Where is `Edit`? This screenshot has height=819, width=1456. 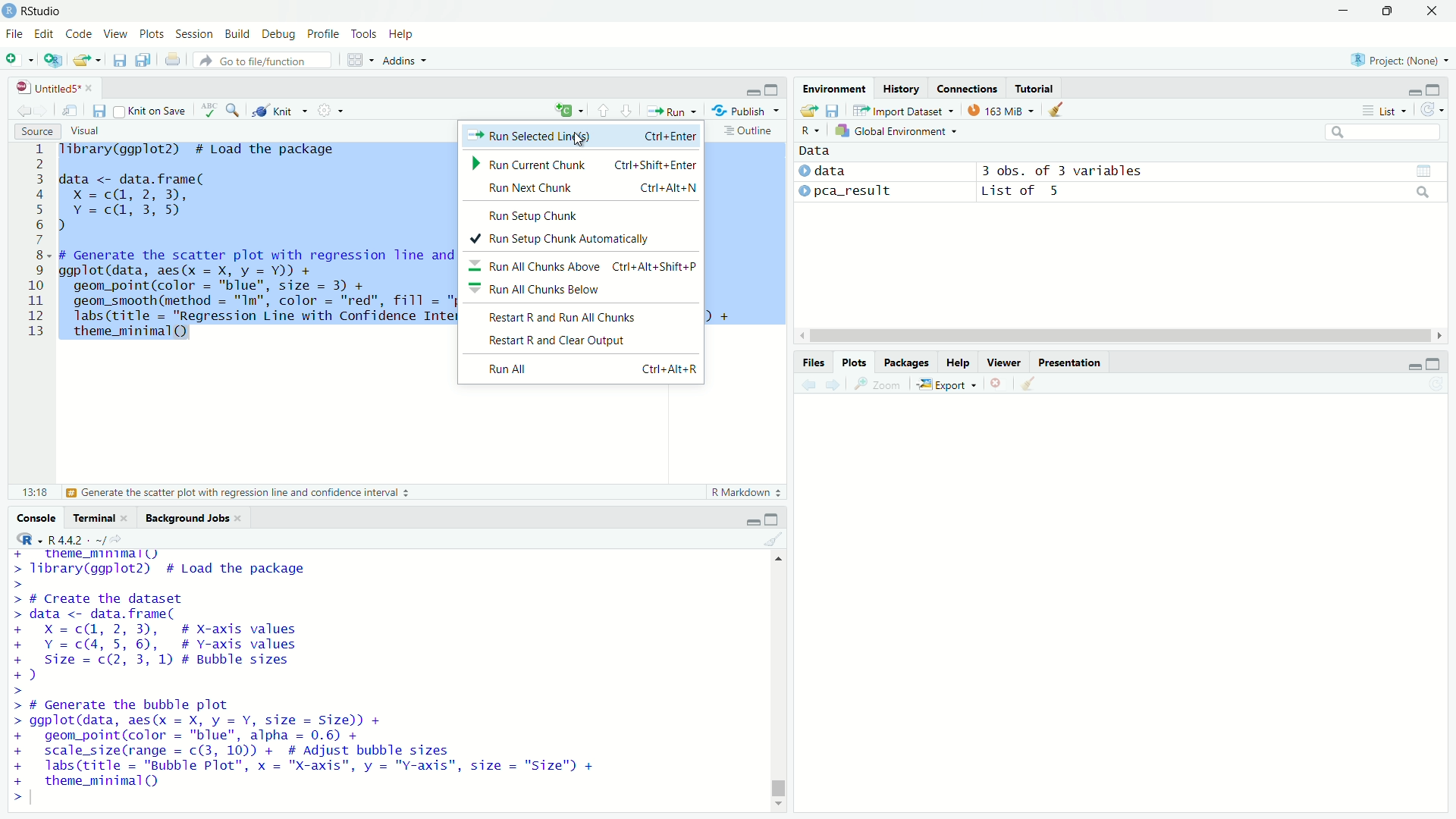
Edit is located at coordinates (44, 33).